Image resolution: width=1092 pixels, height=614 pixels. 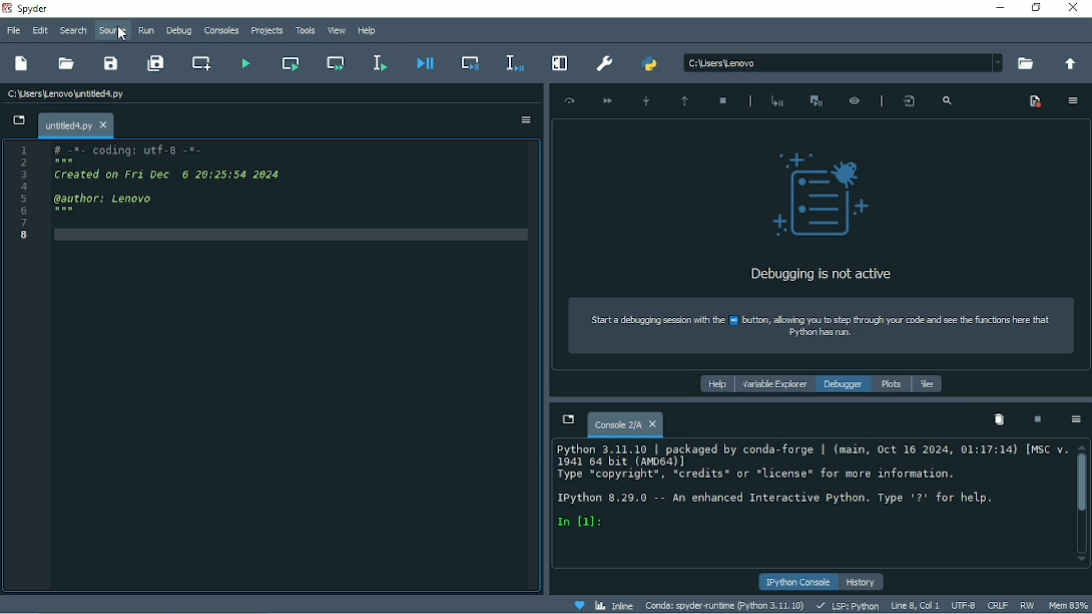 What do you see at coordinates (725, 100) in the screenshot?
I see `Stop debbuging` at bounding box center [725, 100].